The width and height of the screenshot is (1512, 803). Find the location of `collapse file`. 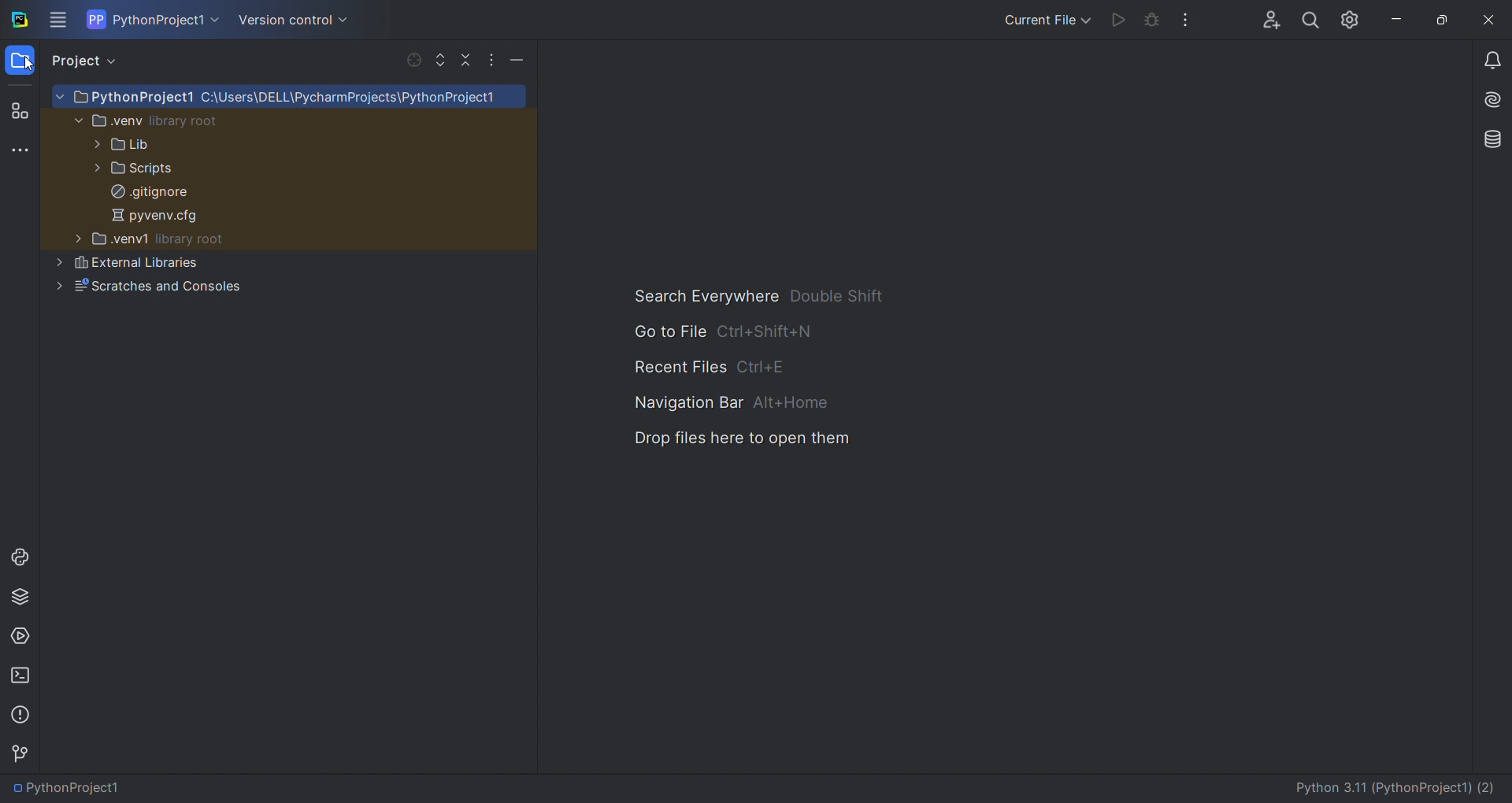

collapse file is located at coordinates (467, 60).